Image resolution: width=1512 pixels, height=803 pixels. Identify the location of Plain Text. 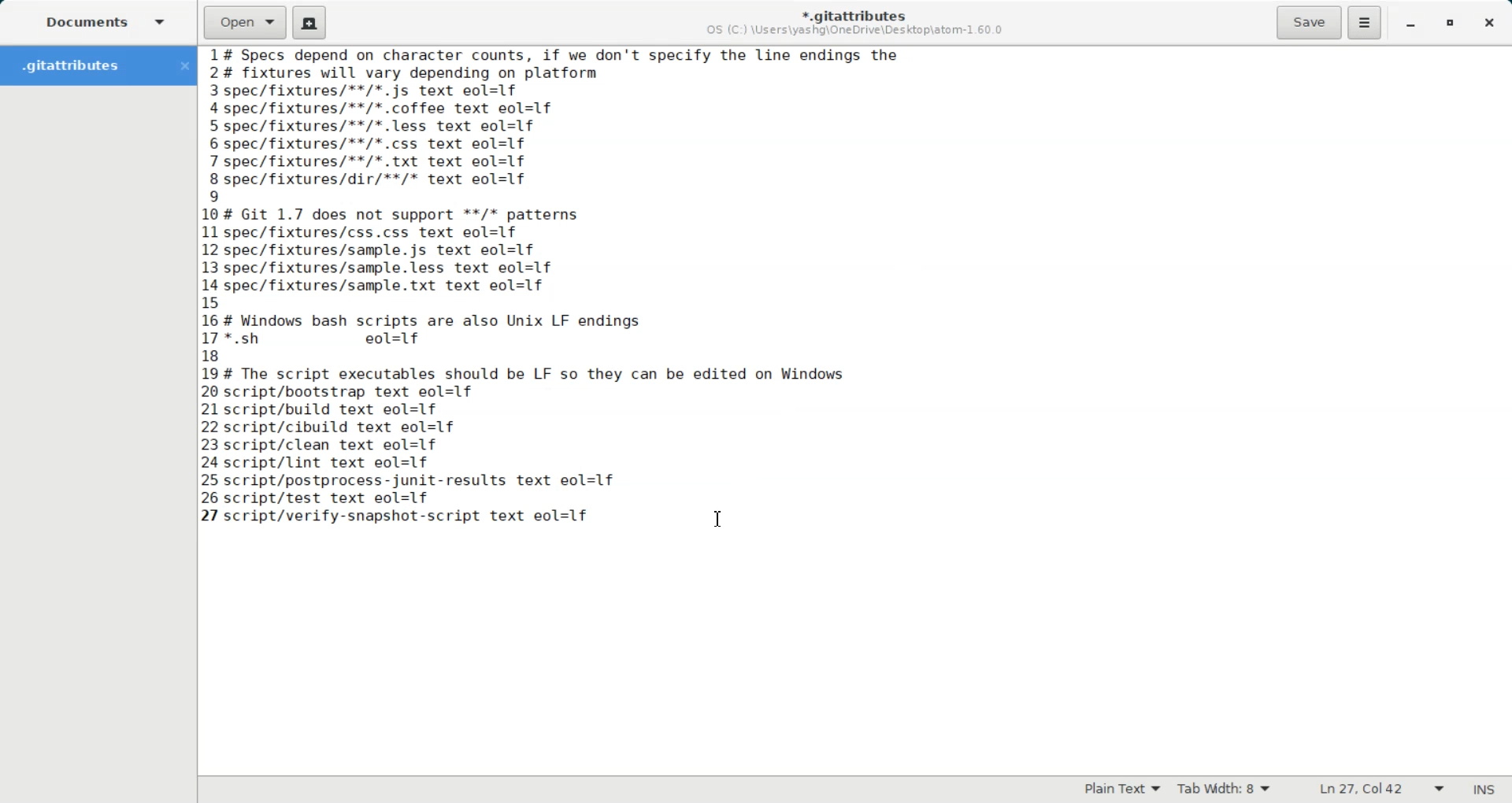
(1118, 790).